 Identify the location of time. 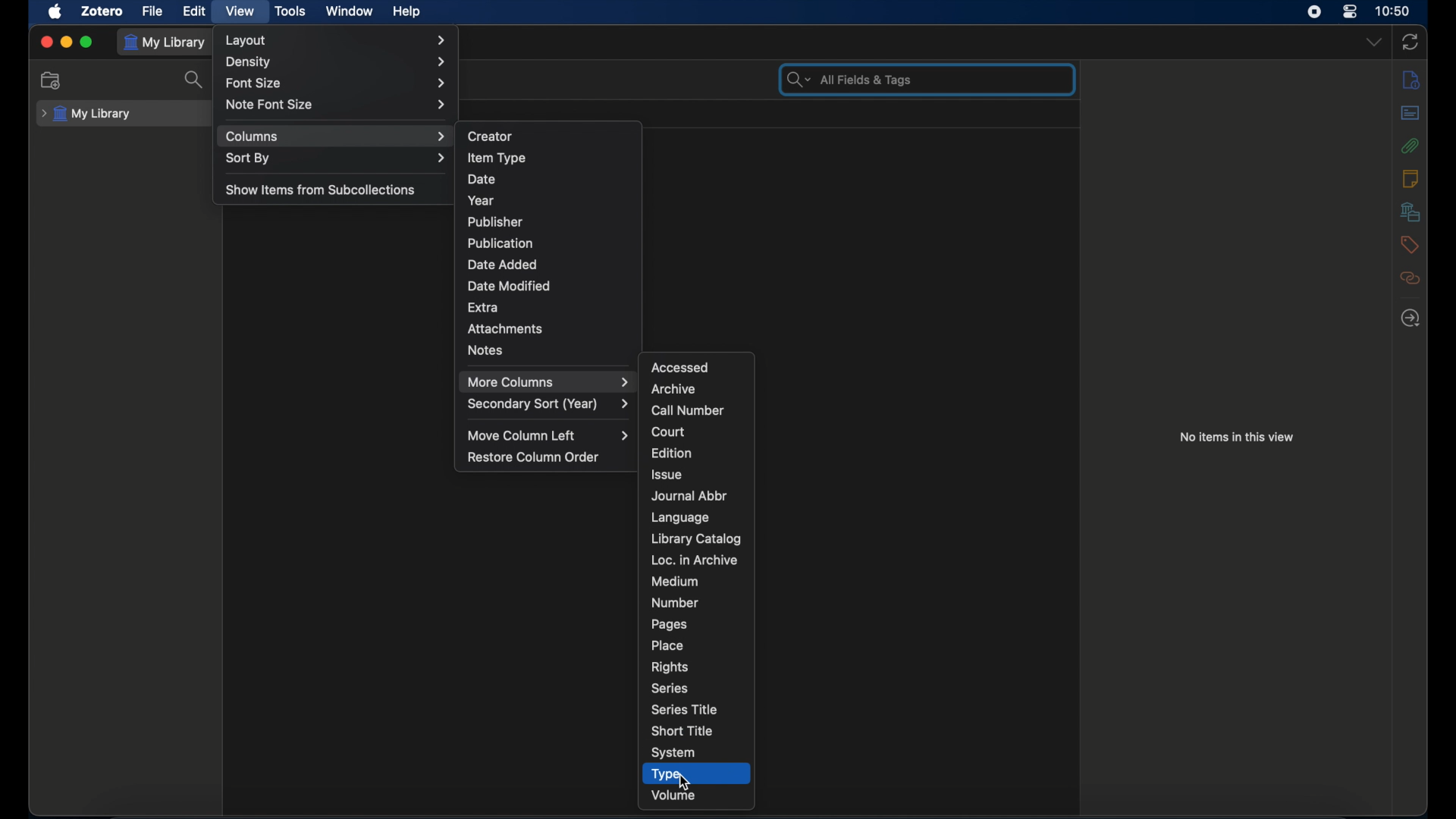
(1393, 11).